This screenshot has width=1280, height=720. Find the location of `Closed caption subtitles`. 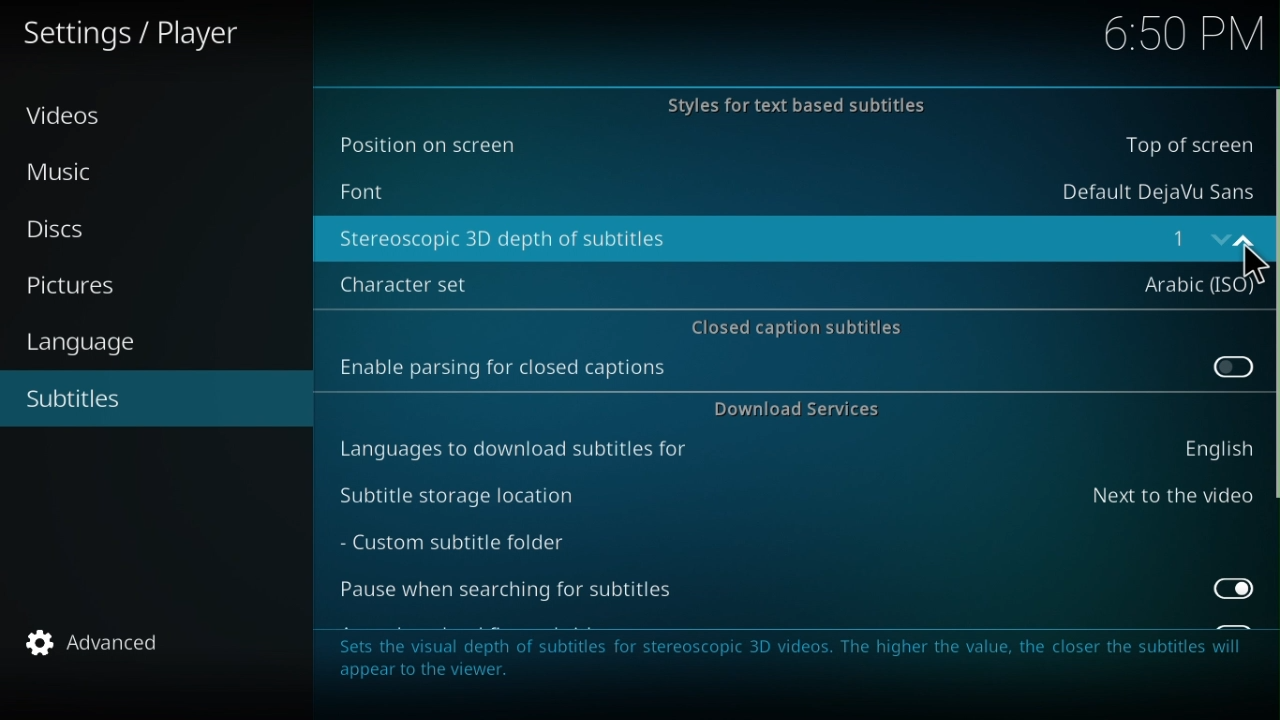

Closed caption subtitles is located at coordinates (794, 324).